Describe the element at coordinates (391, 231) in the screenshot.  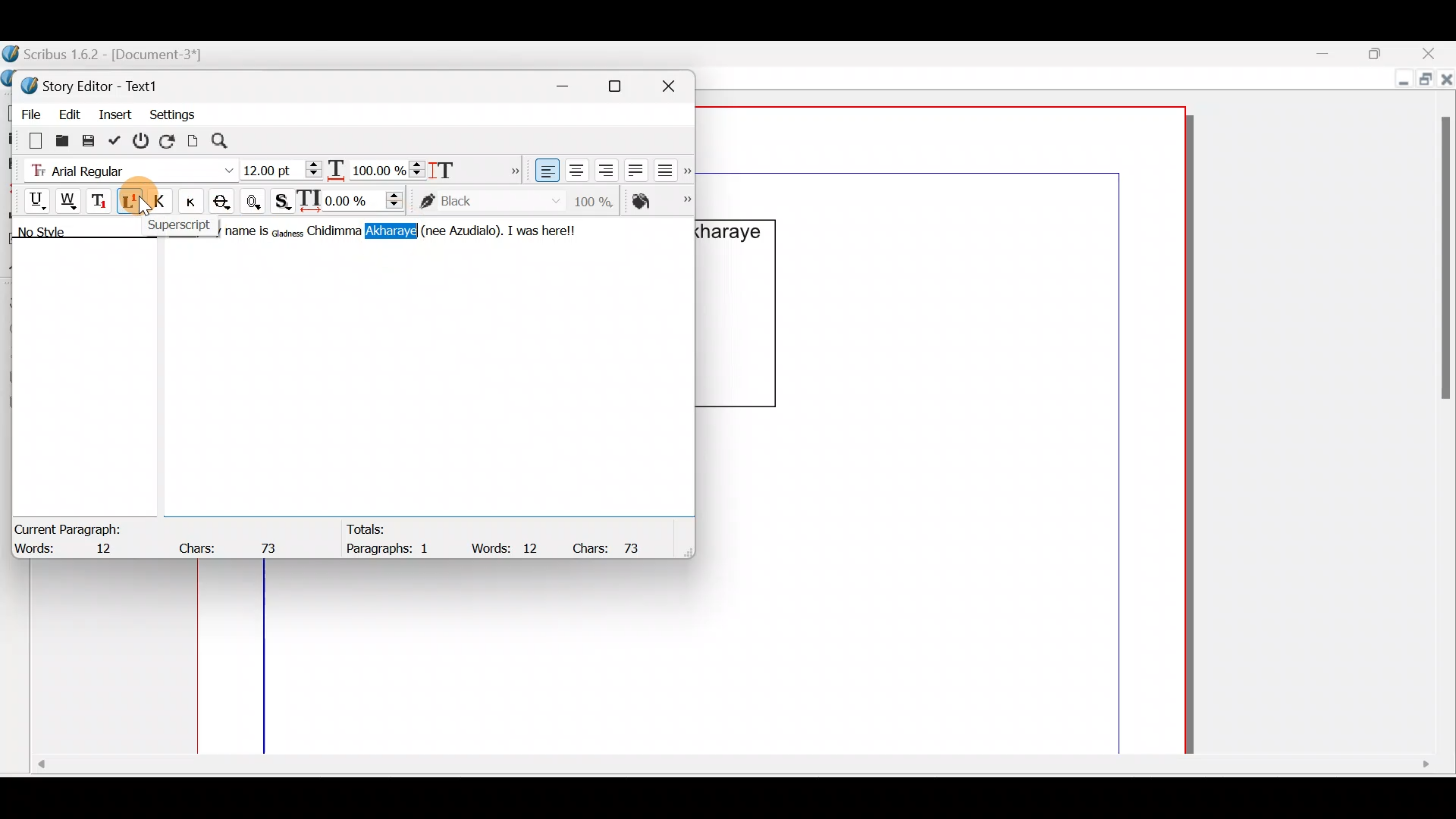
I see `Akharaye` at that location.